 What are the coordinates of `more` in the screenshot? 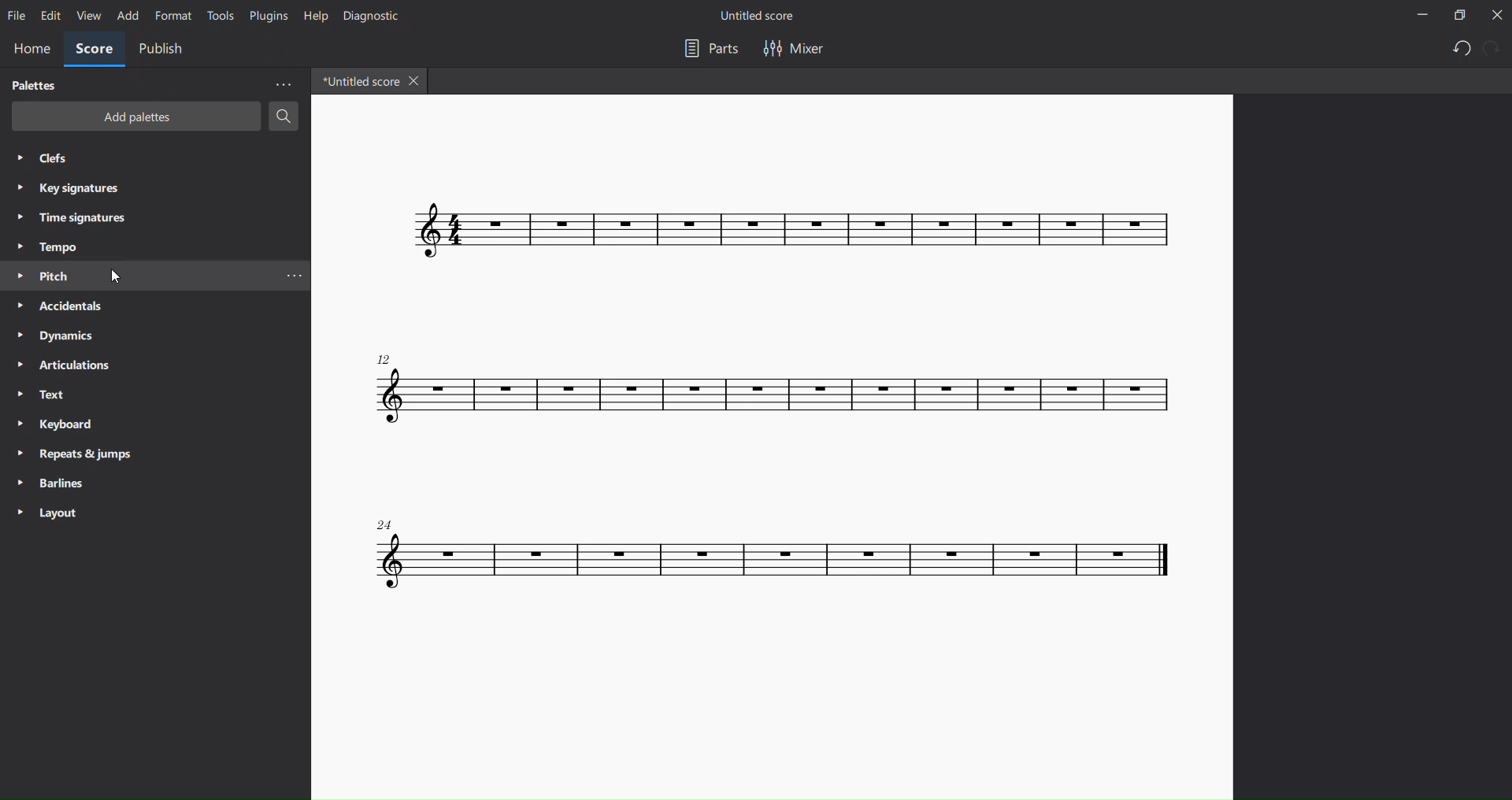 It's located at (278, 85).